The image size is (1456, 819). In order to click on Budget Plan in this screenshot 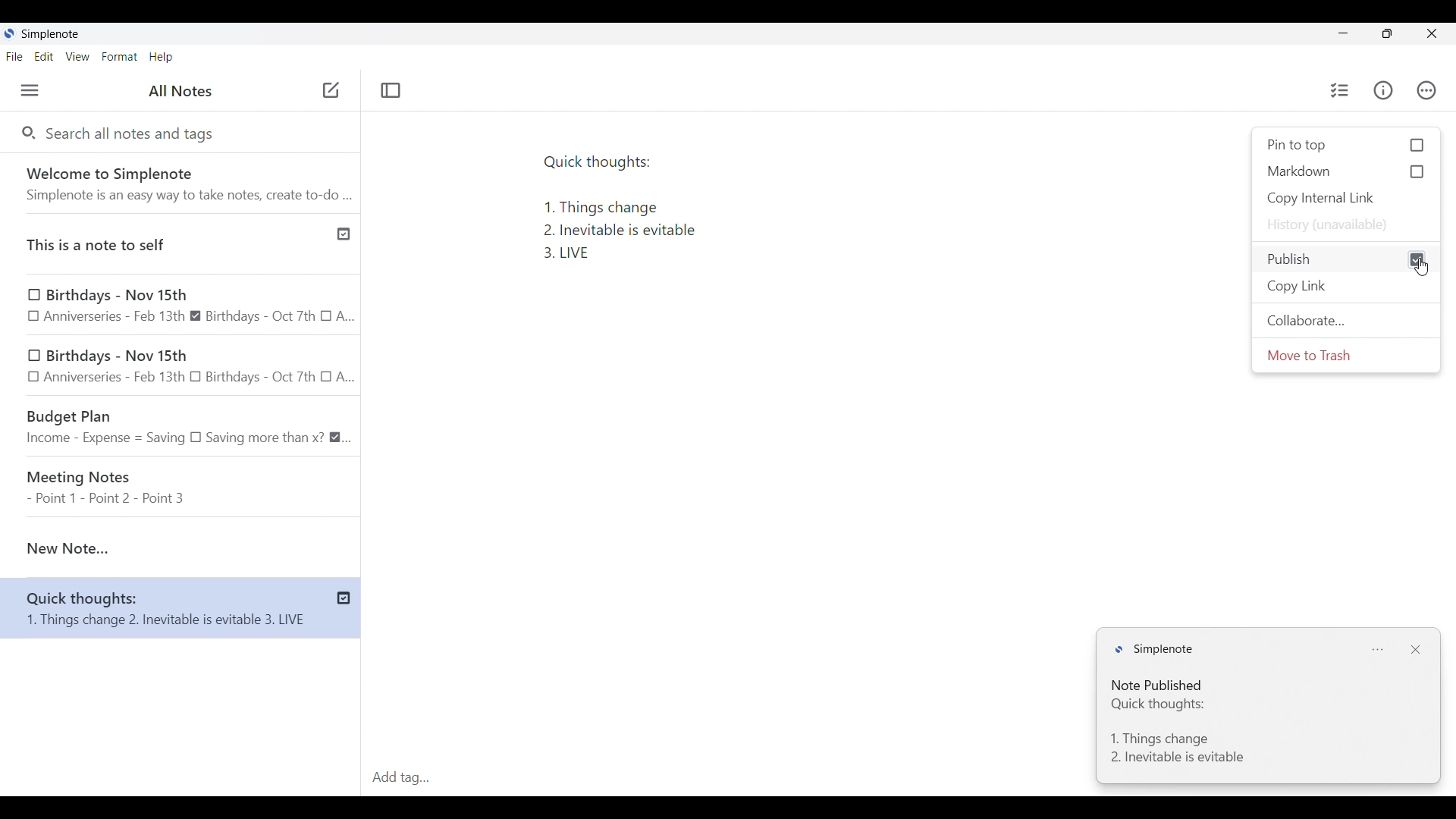, I will do `click(181, 424)`.